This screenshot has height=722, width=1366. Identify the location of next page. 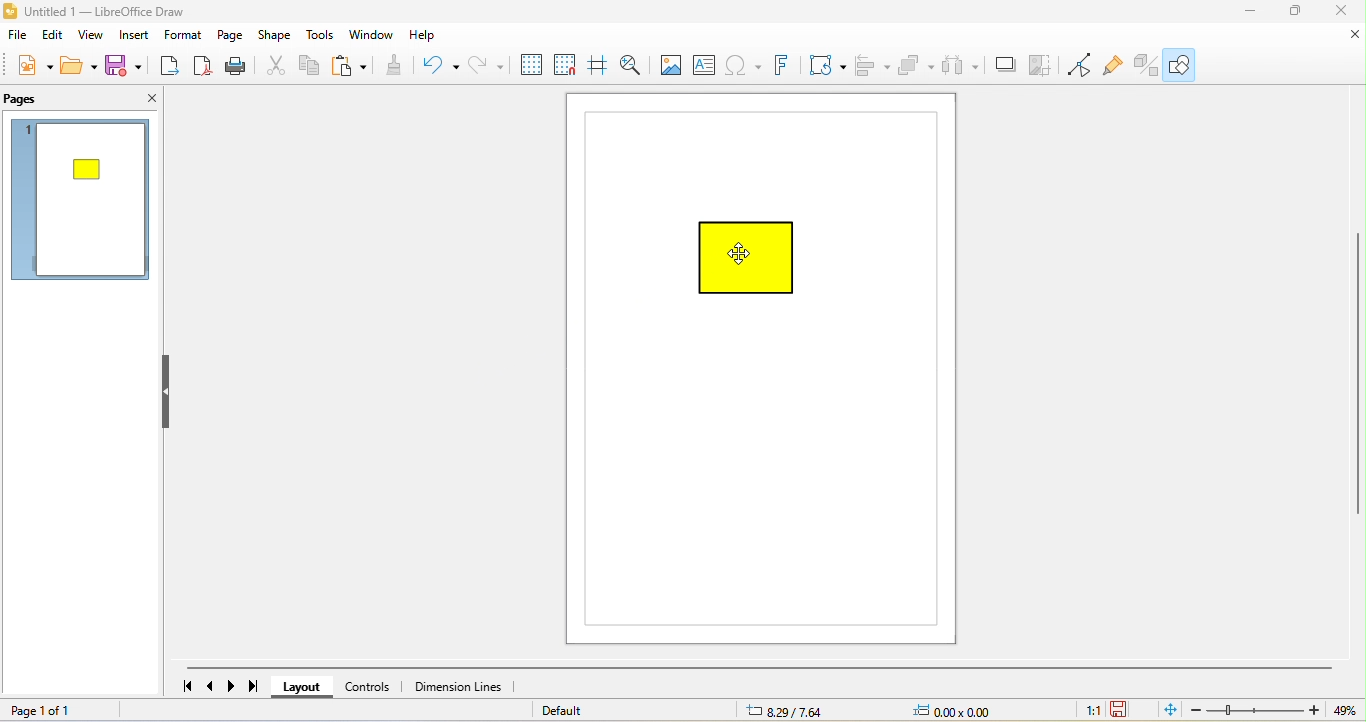
(235, 687).